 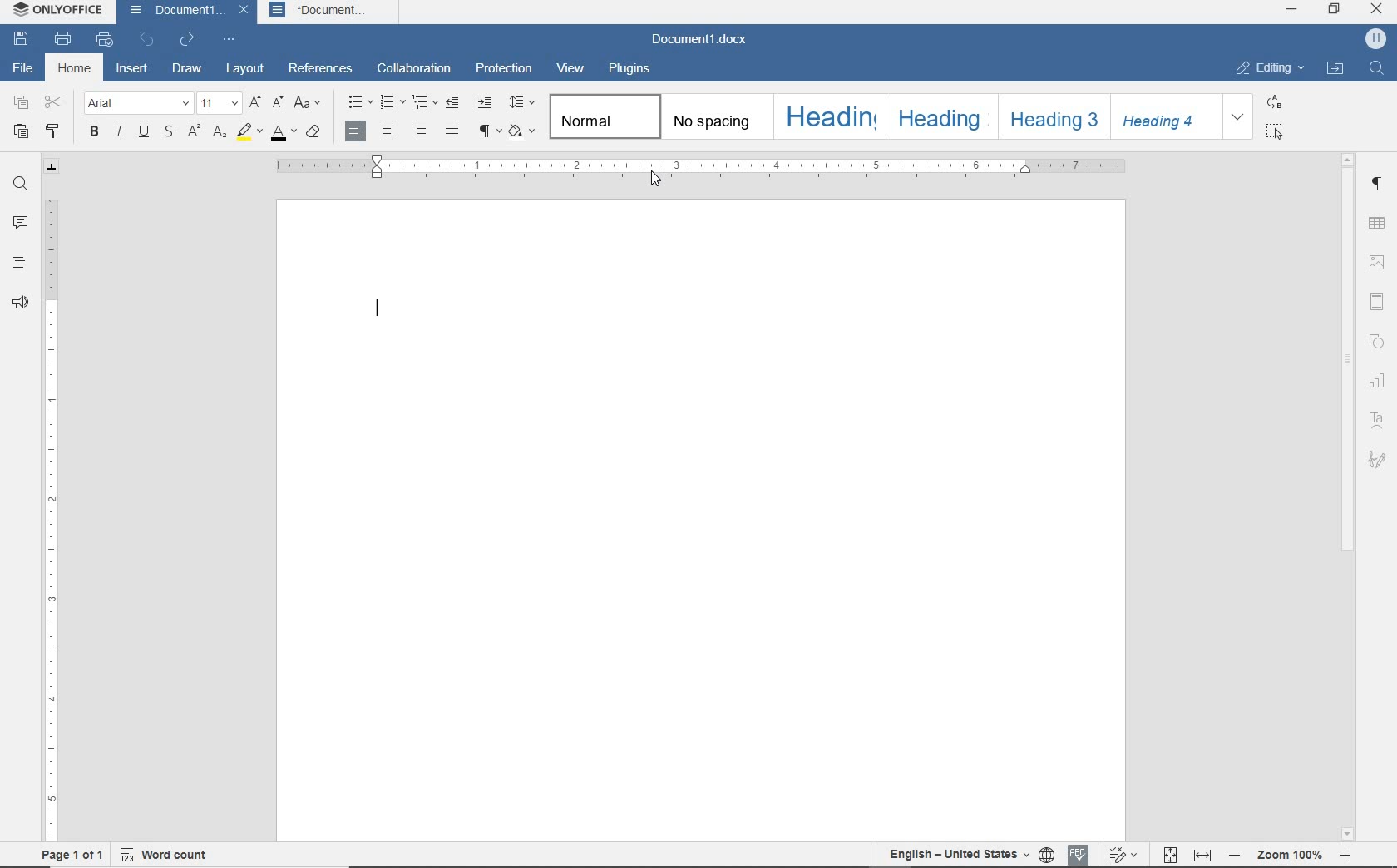 What do you see at coordinates (1378, 422) in the screenshot?
I see `TEXT ART` at bounding box center [1378, 422].